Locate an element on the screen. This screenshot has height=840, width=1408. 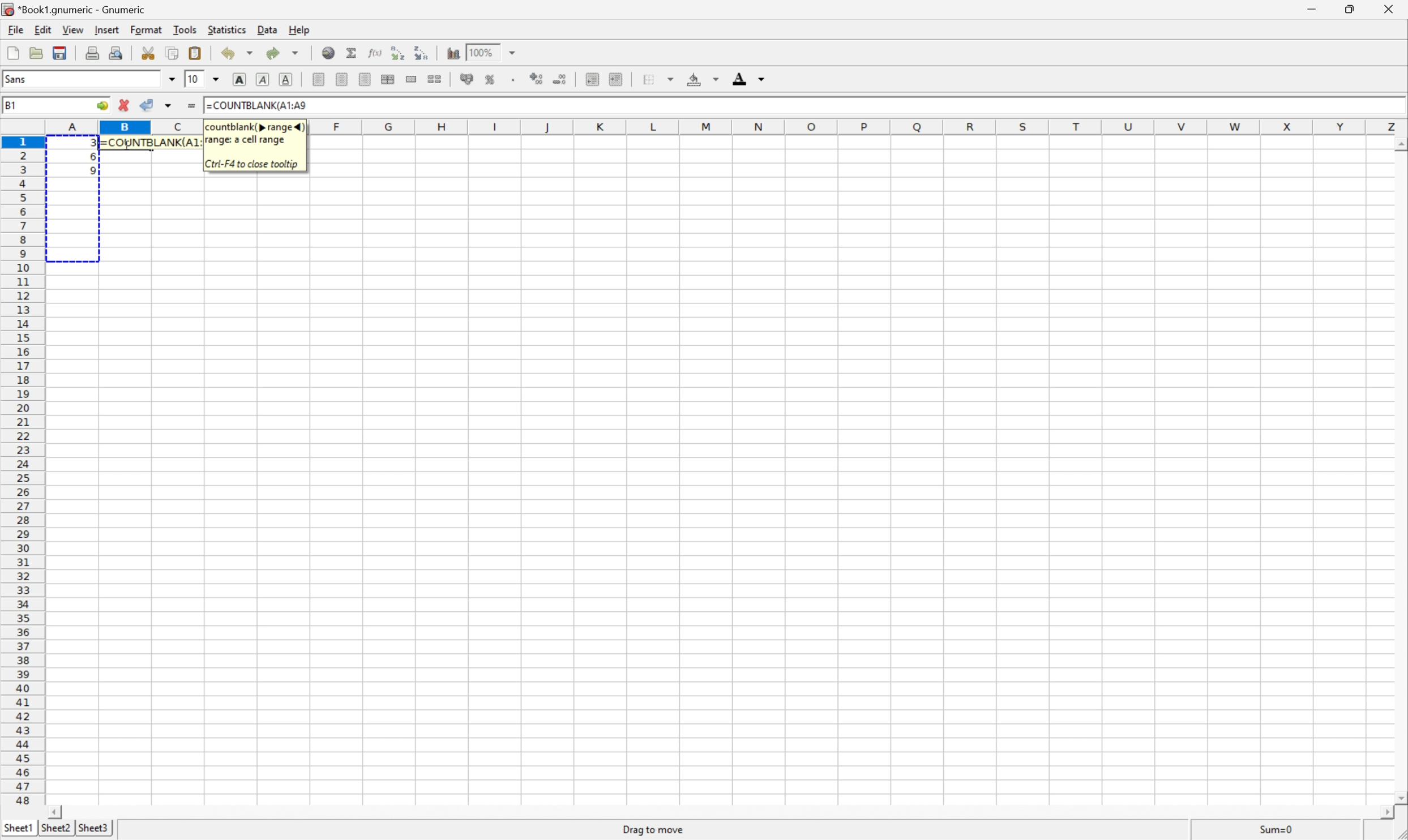
File is located at coordinates (14, 29).